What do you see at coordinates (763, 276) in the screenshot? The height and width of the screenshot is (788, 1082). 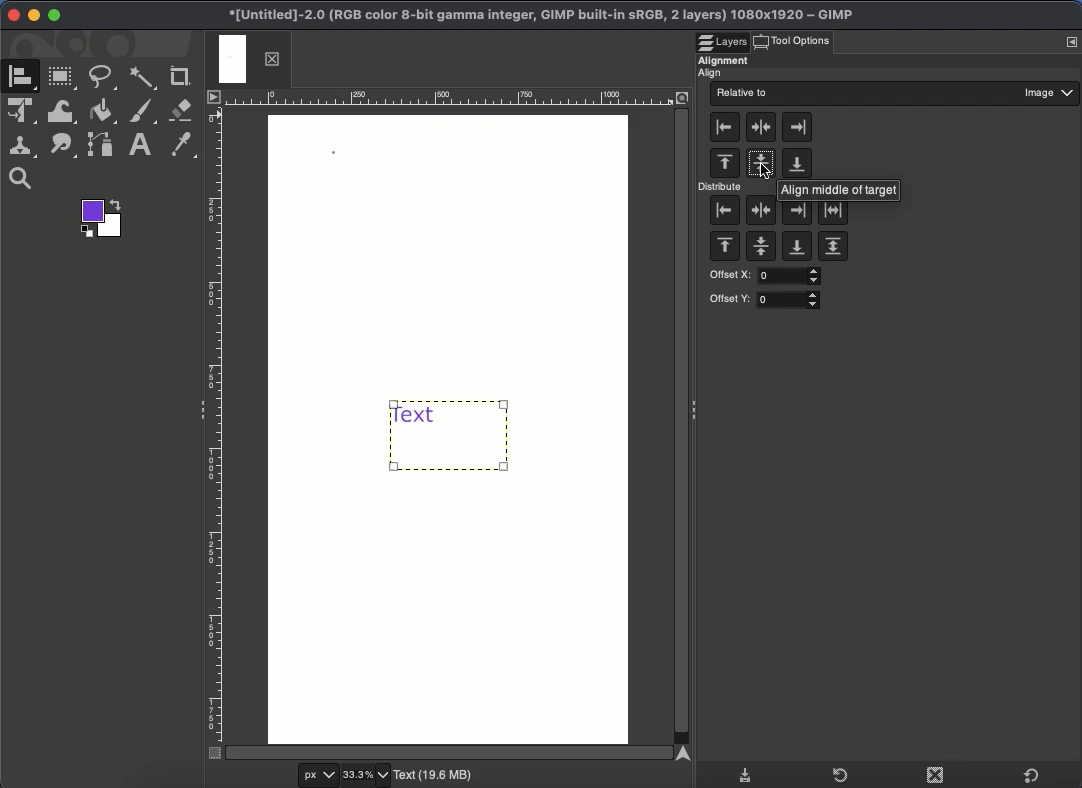 I see `Offset X:` at bounding box center [763, 276].